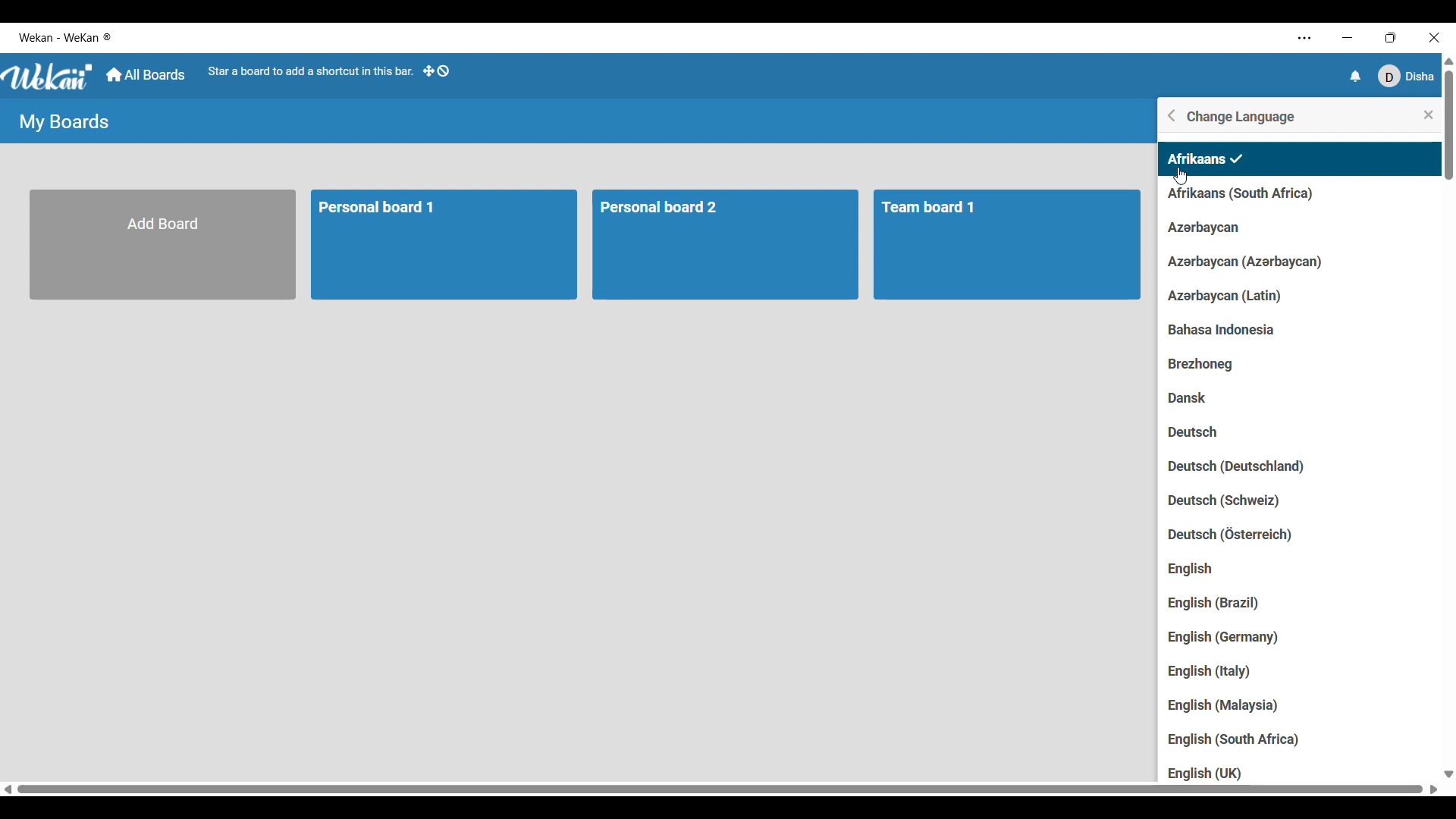 This screenshot has width=1456, height=819. Describe the element at coordinates (1237, 158) in the screenshot. I see `Checkmark indicates language has been selected` at that location.